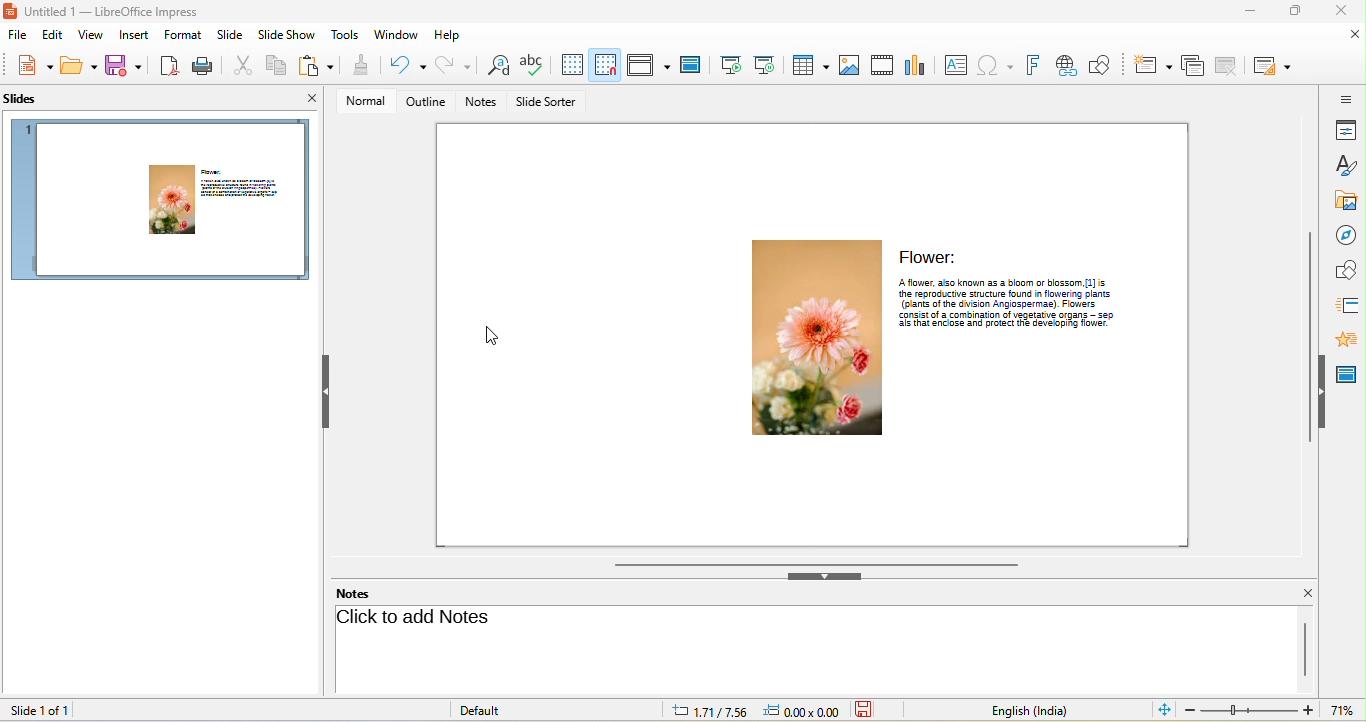  Describe the element at coordinates (1149, 64) in the screenshot. I see `new slide` at that location.